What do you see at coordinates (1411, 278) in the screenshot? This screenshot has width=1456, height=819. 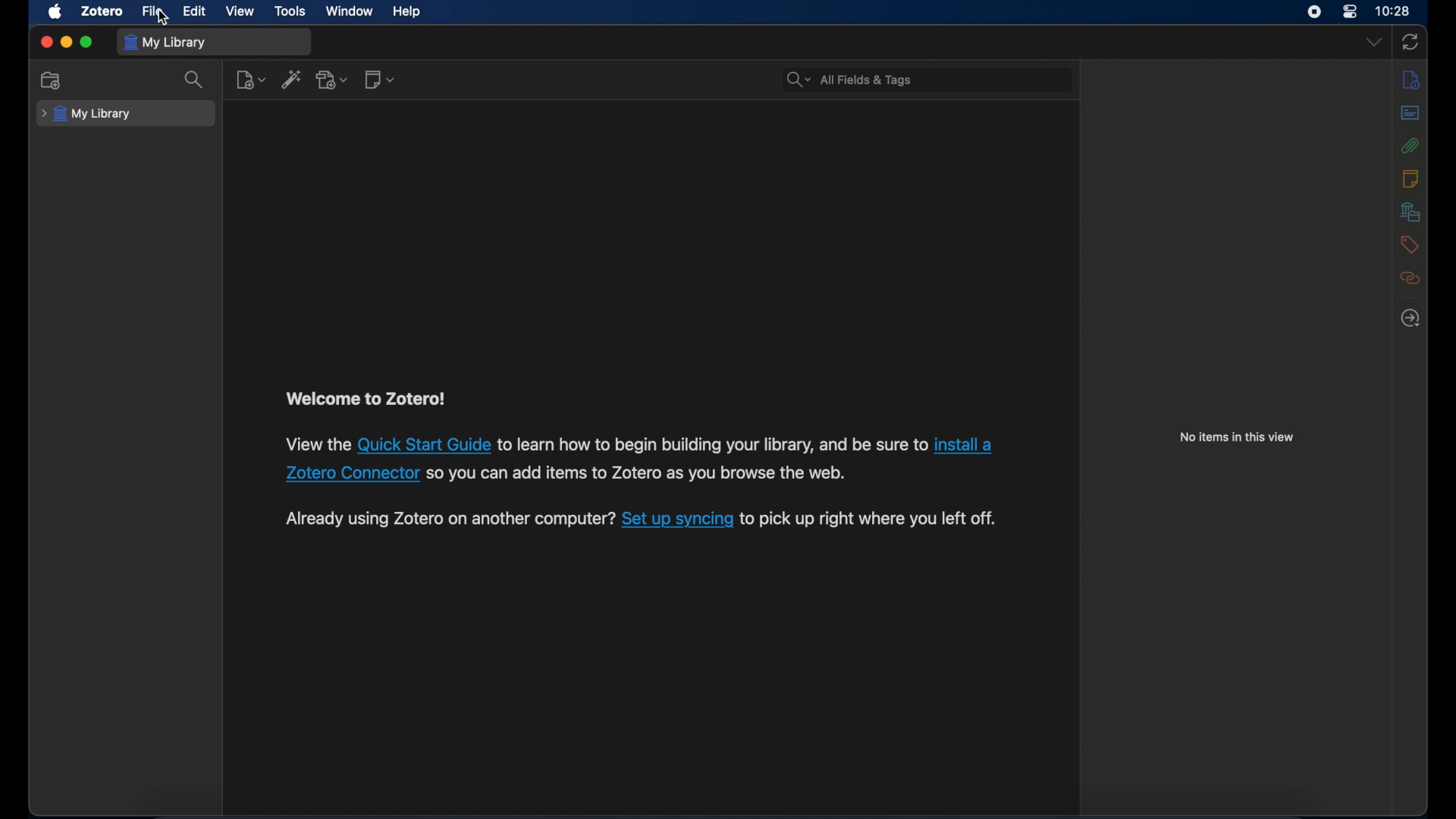 I see `related` at bounding box center [1411, 278].